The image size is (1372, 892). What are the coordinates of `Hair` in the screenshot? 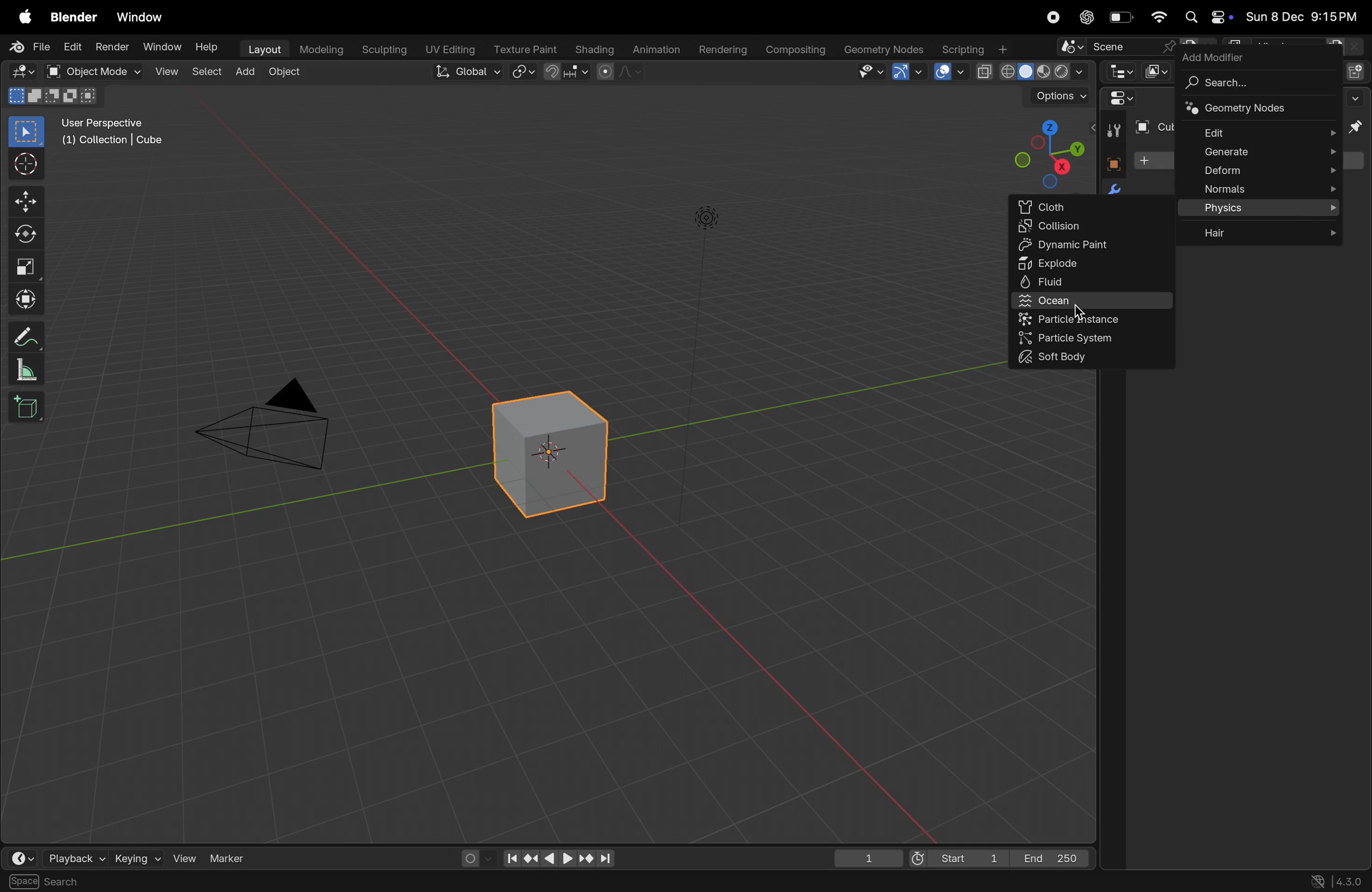 It's located at (1262, 231).